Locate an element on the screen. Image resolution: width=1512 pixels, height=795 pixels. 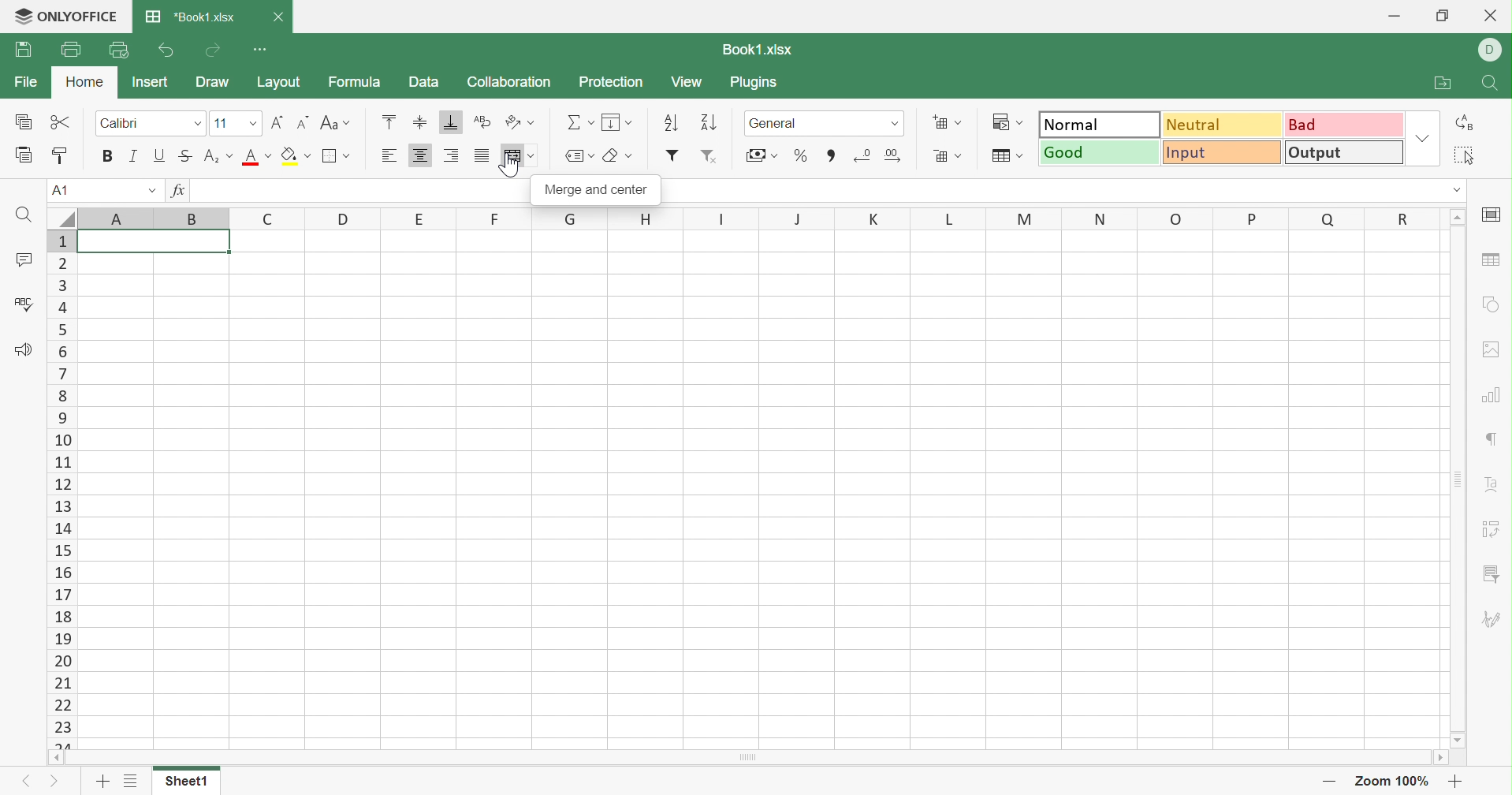
Restore Down is located at coordinates (1447, 16).